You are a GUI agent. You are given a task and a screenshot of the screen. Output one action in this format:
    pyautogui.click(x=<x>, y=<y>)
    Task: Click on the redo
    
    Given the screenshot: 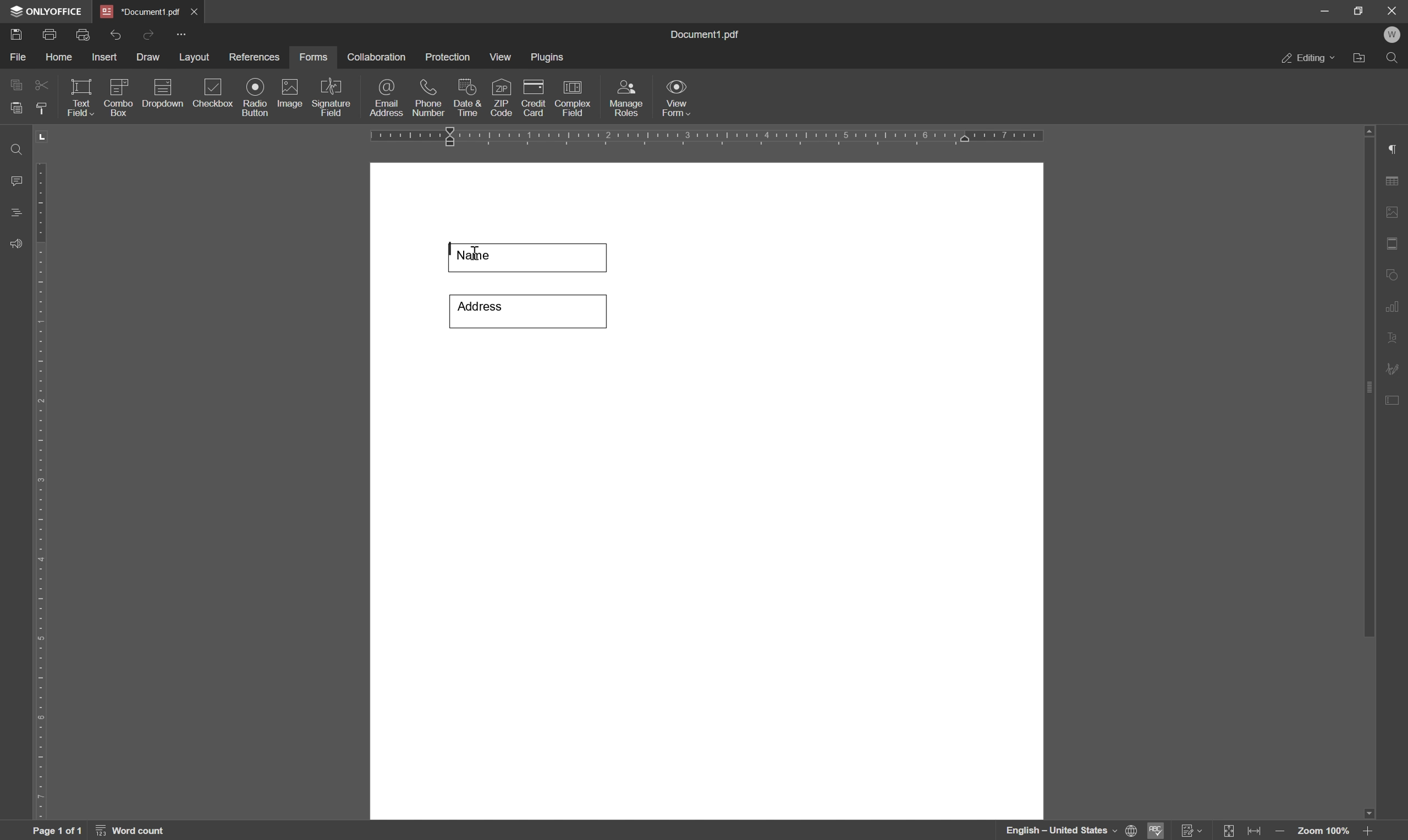 What is the action you would take?
    pyautogui.click(x=148, y=33)
    